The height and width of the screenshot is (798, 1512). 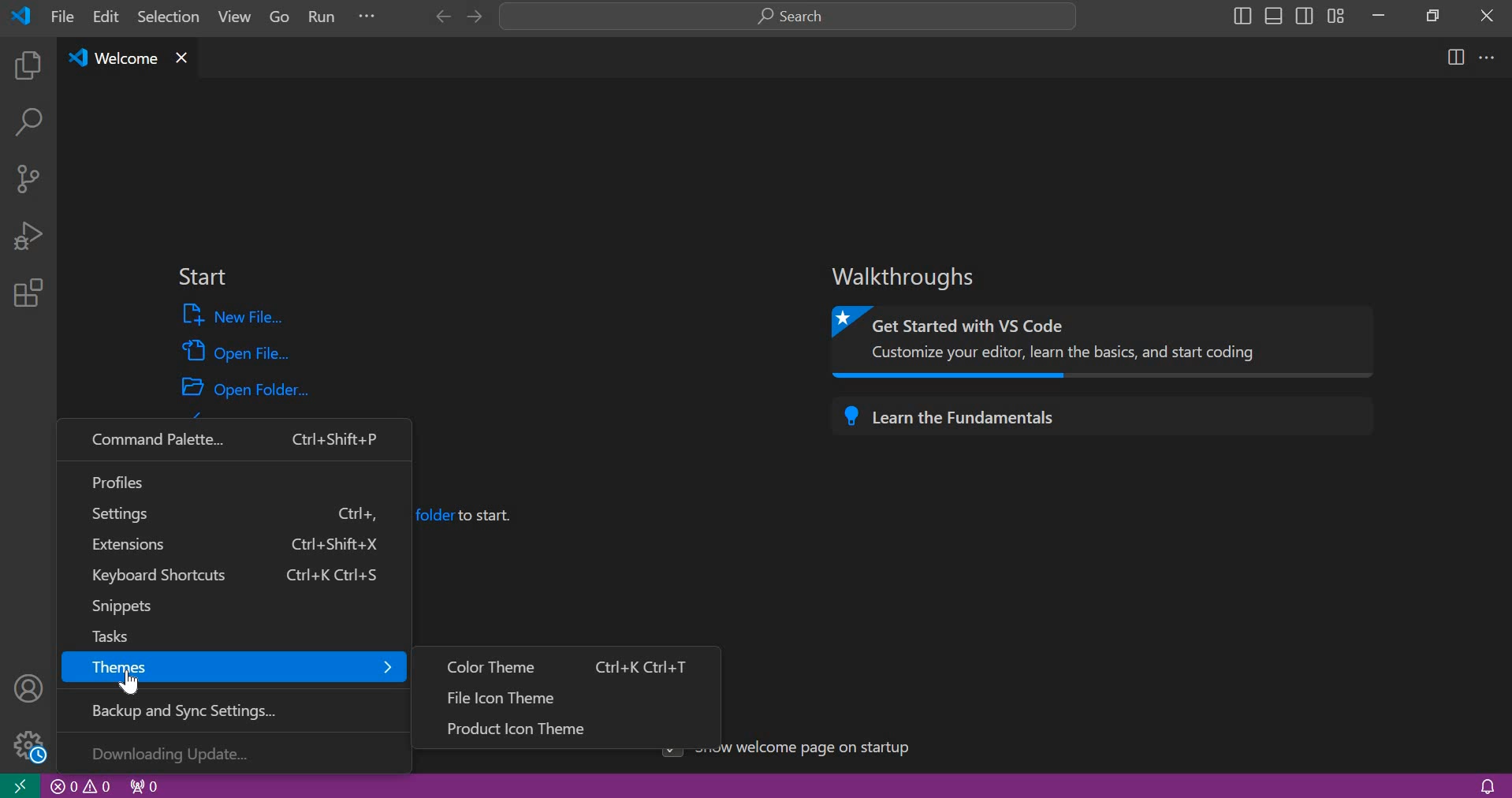 I want to click on more actions, so click(x=1488, y=56).